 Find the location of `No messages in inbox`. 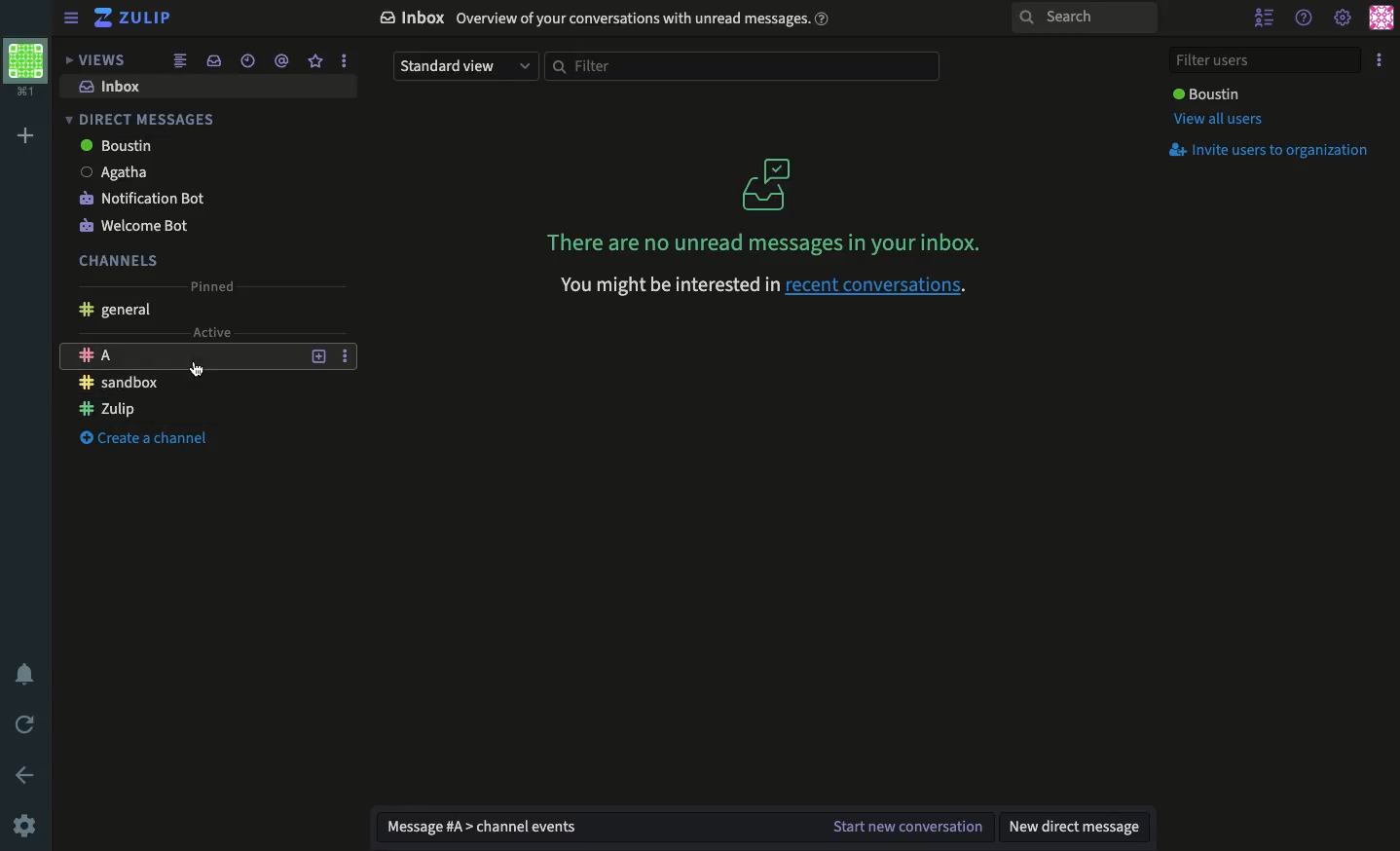

No messages in inbox is located at coordinates (767, 243).